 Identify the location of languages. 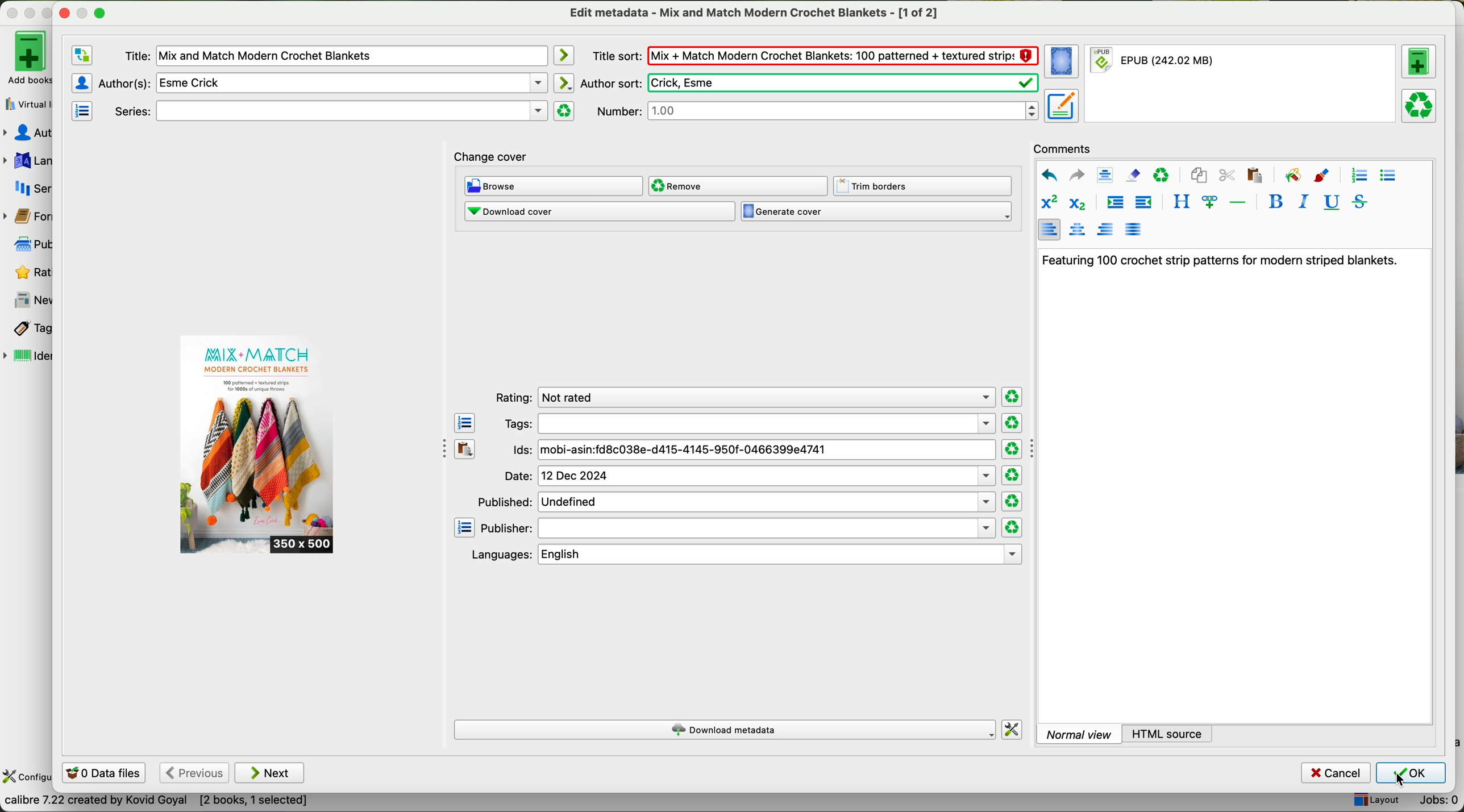
(744, 555).